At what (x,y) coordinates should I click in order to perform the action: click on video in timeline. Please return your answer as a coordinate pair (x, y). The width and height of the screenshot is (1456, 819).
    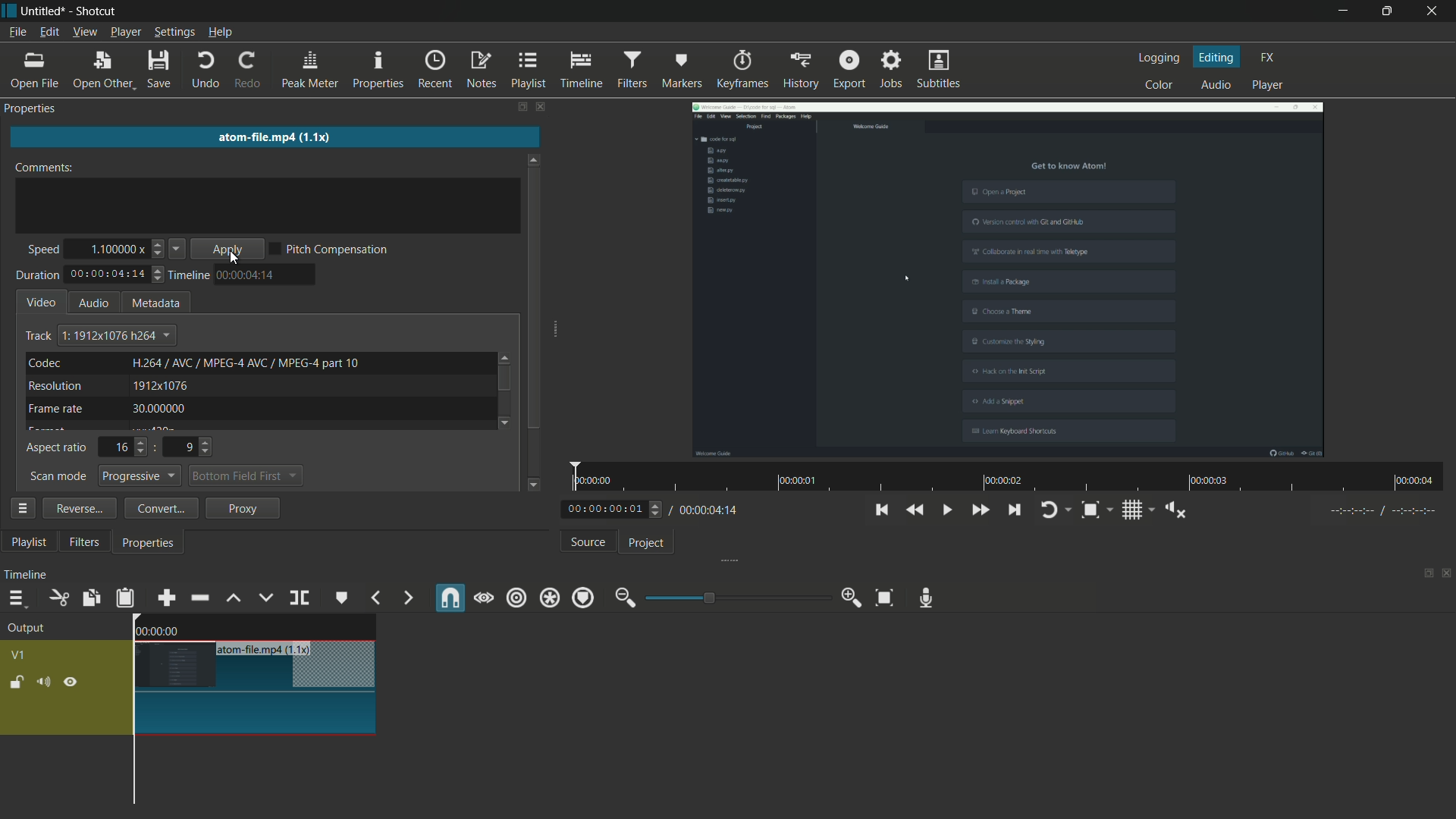
    Looking at the image, I should click on (253, 698).